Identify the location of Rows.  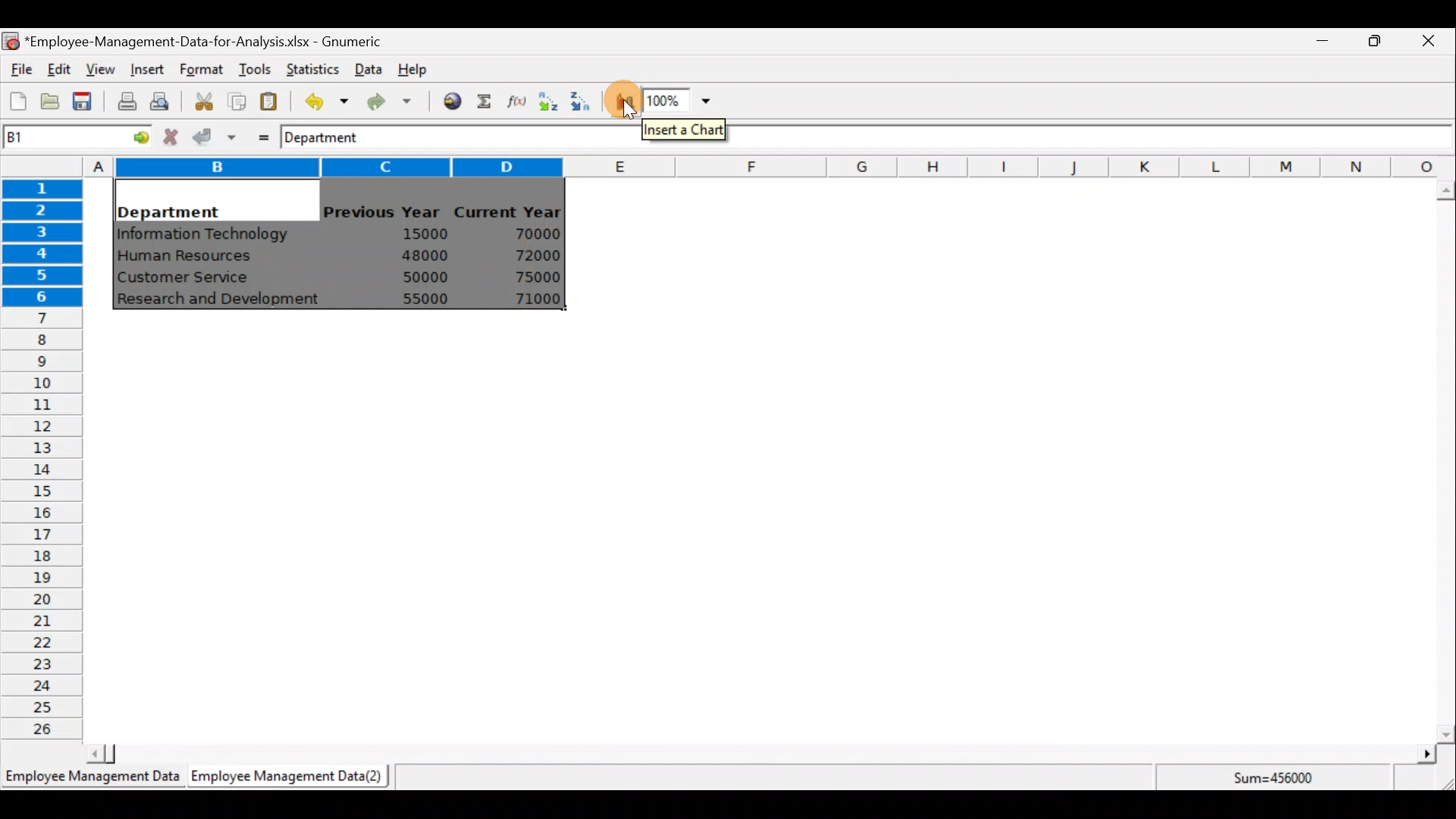
(42, 456).